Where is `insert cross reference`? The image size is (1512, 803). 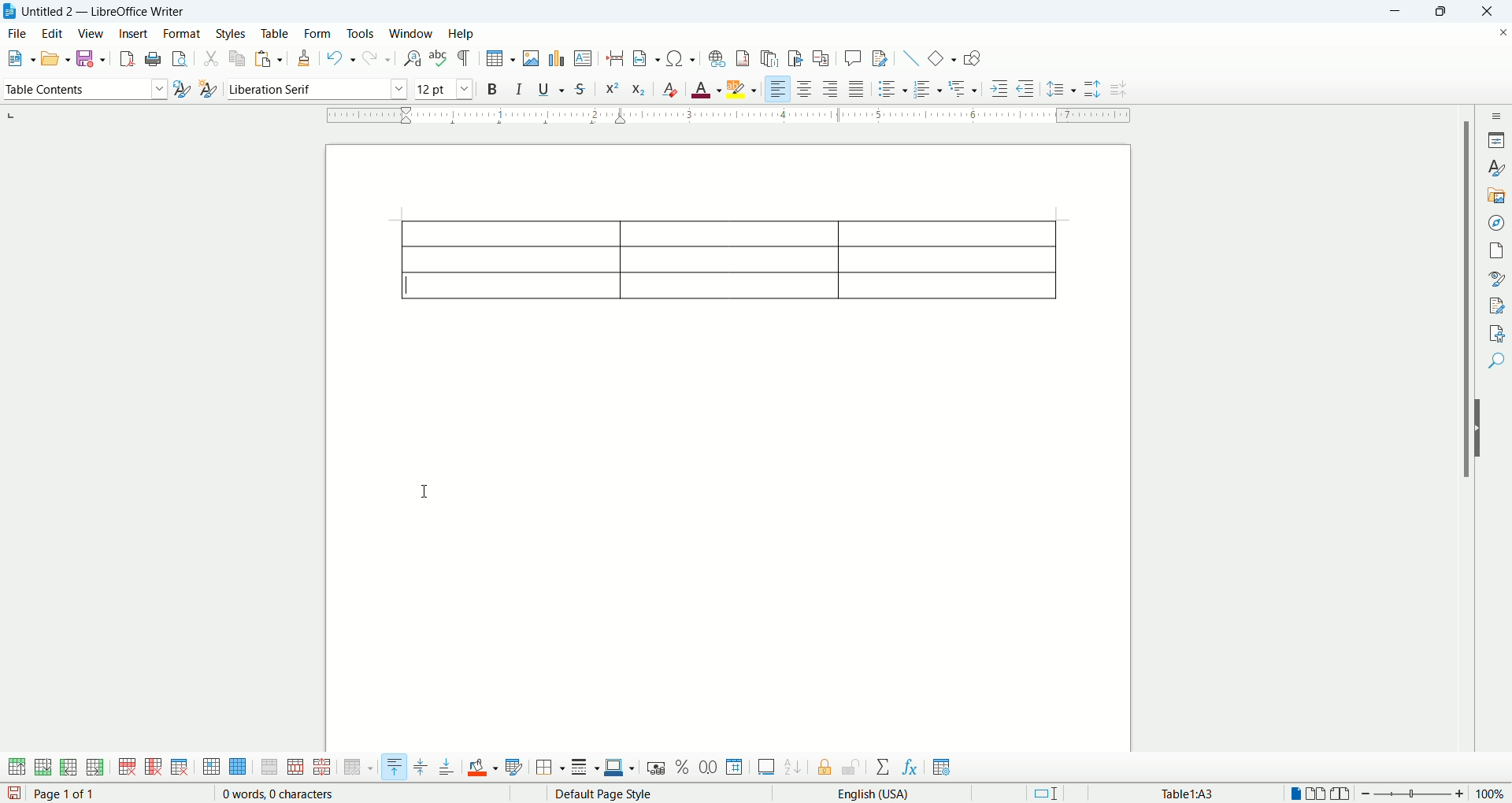
insert cross reference is located at coordinates (820, 59).